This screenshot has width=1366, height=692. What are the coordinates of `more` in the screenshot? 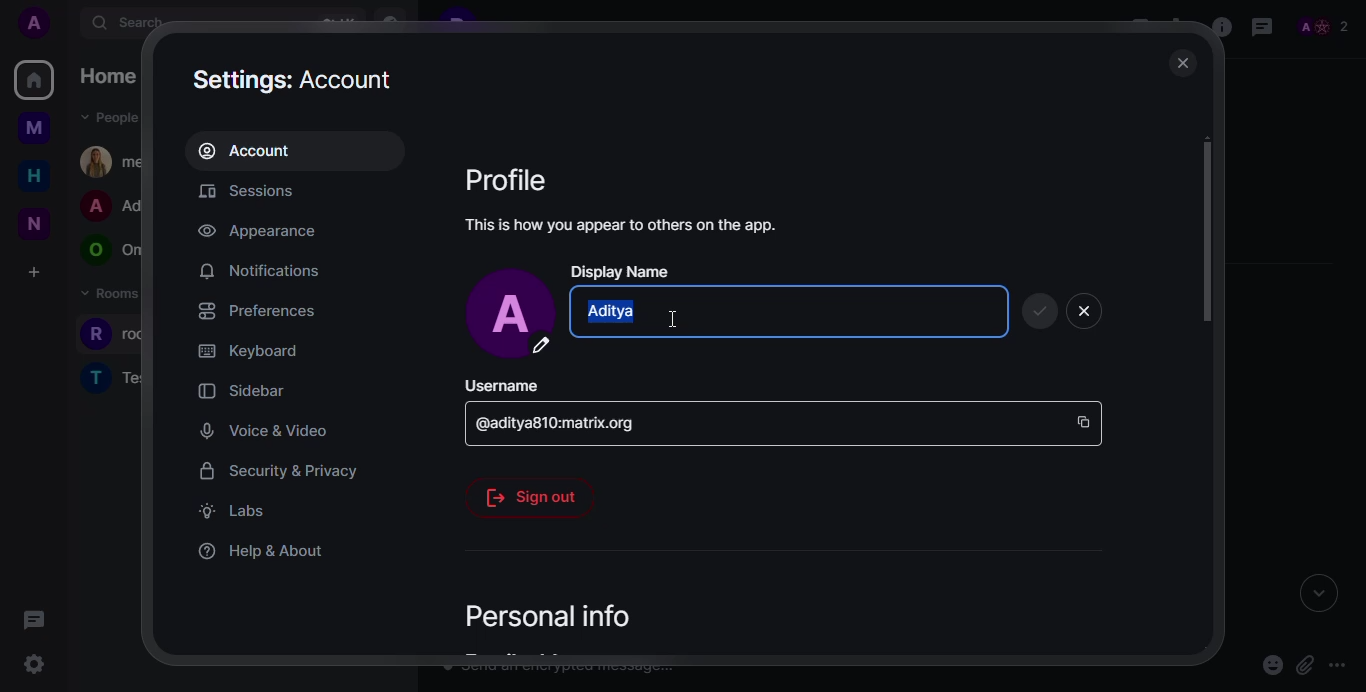 It's located at (1341, 665).